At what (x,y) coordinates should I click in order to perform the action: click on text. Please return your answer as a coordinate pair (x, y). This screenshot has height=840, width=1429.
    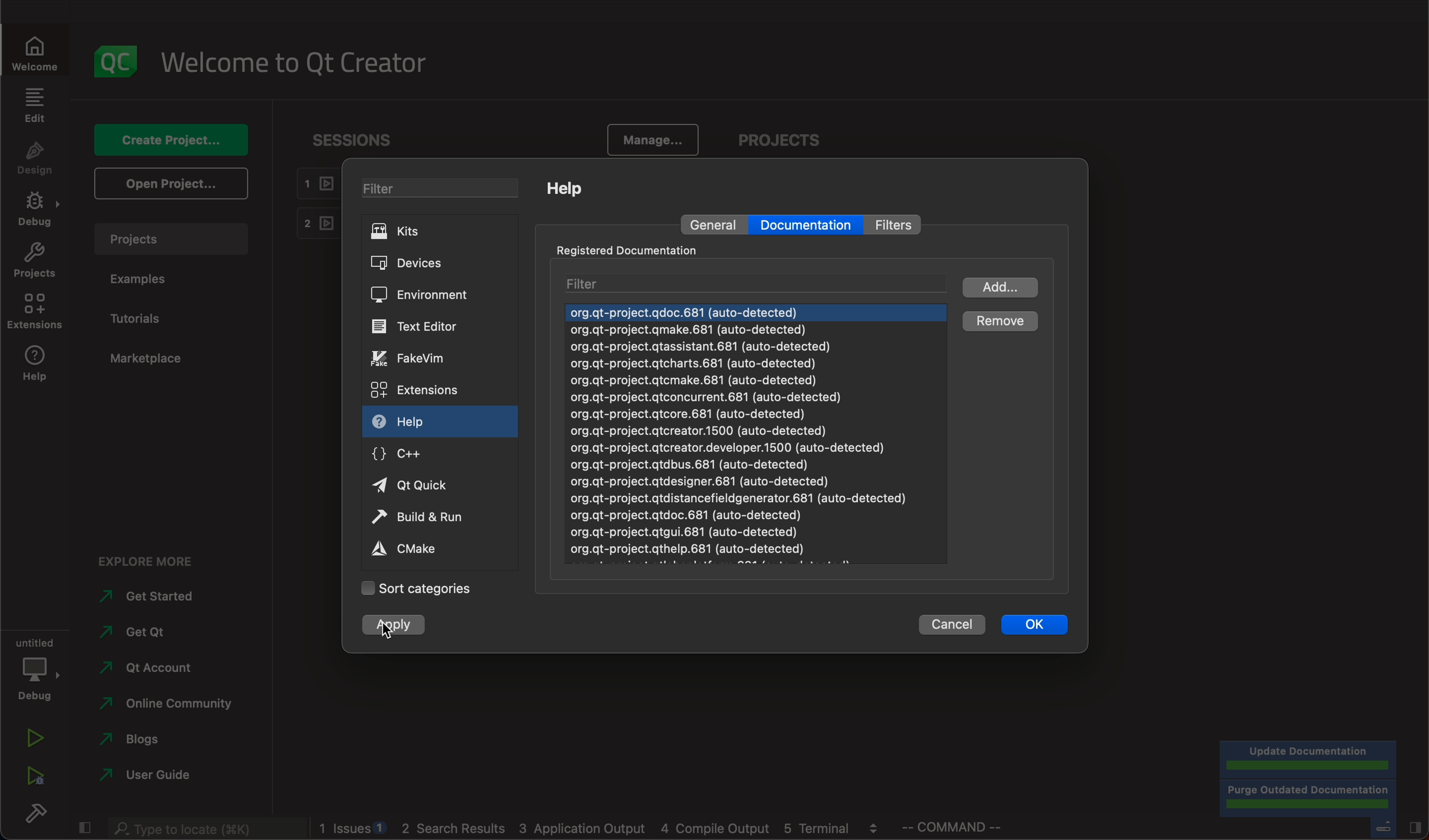
    Looking at the image, I should click on (426, 327).